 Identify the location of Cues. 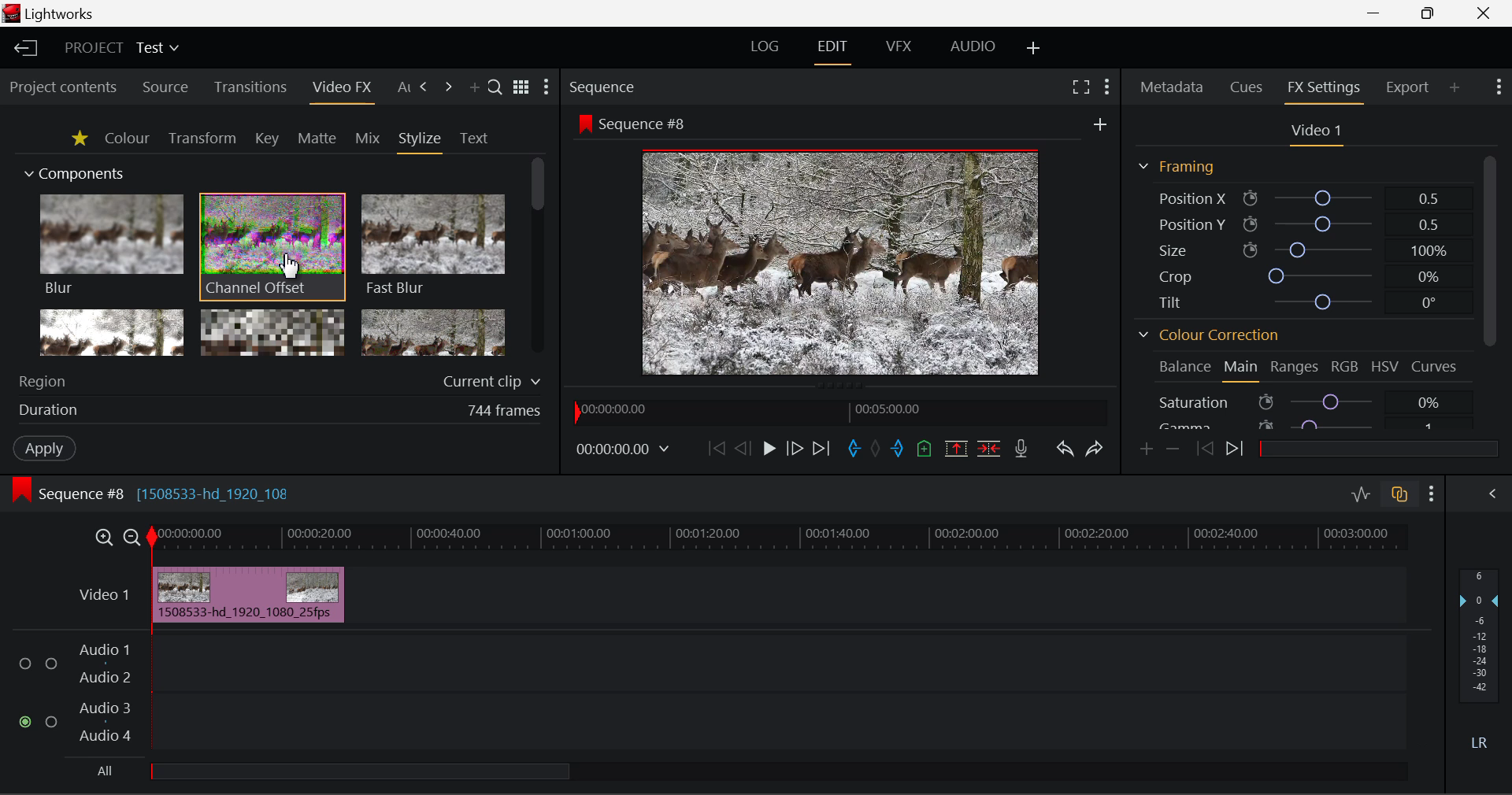
(1246, 87).